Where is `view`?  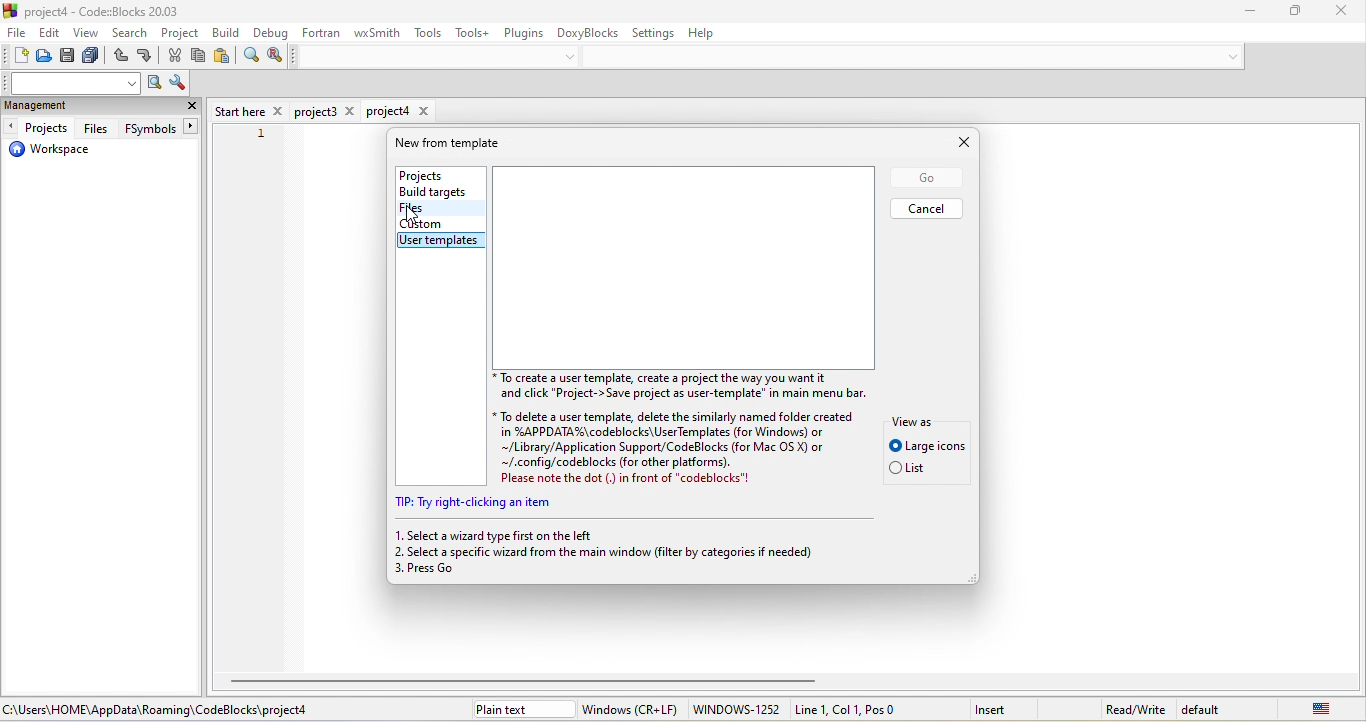
view is located at coordinates (88, 35).